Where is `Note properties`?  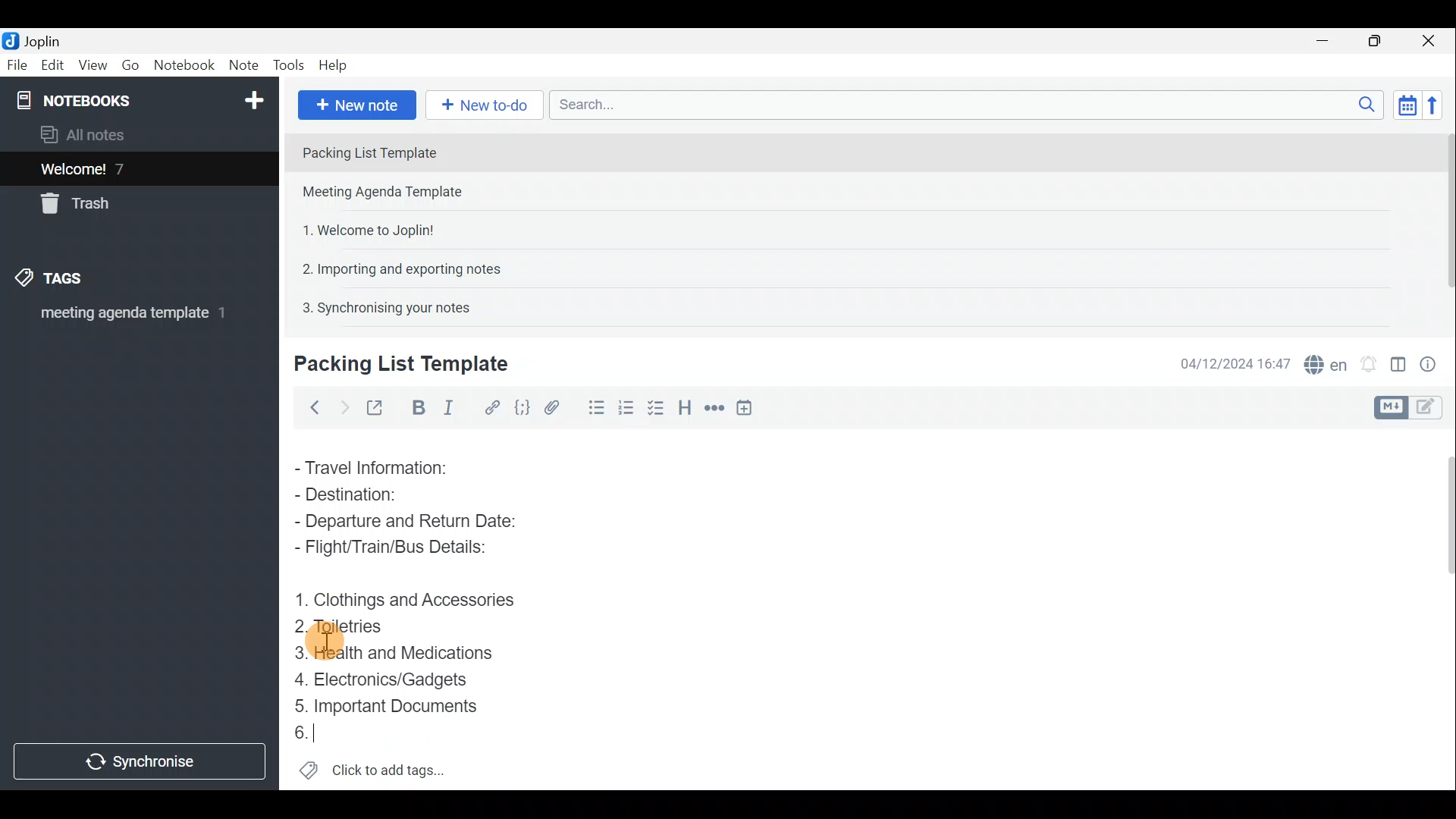 Note properties is located at coordinates (1433, 362).